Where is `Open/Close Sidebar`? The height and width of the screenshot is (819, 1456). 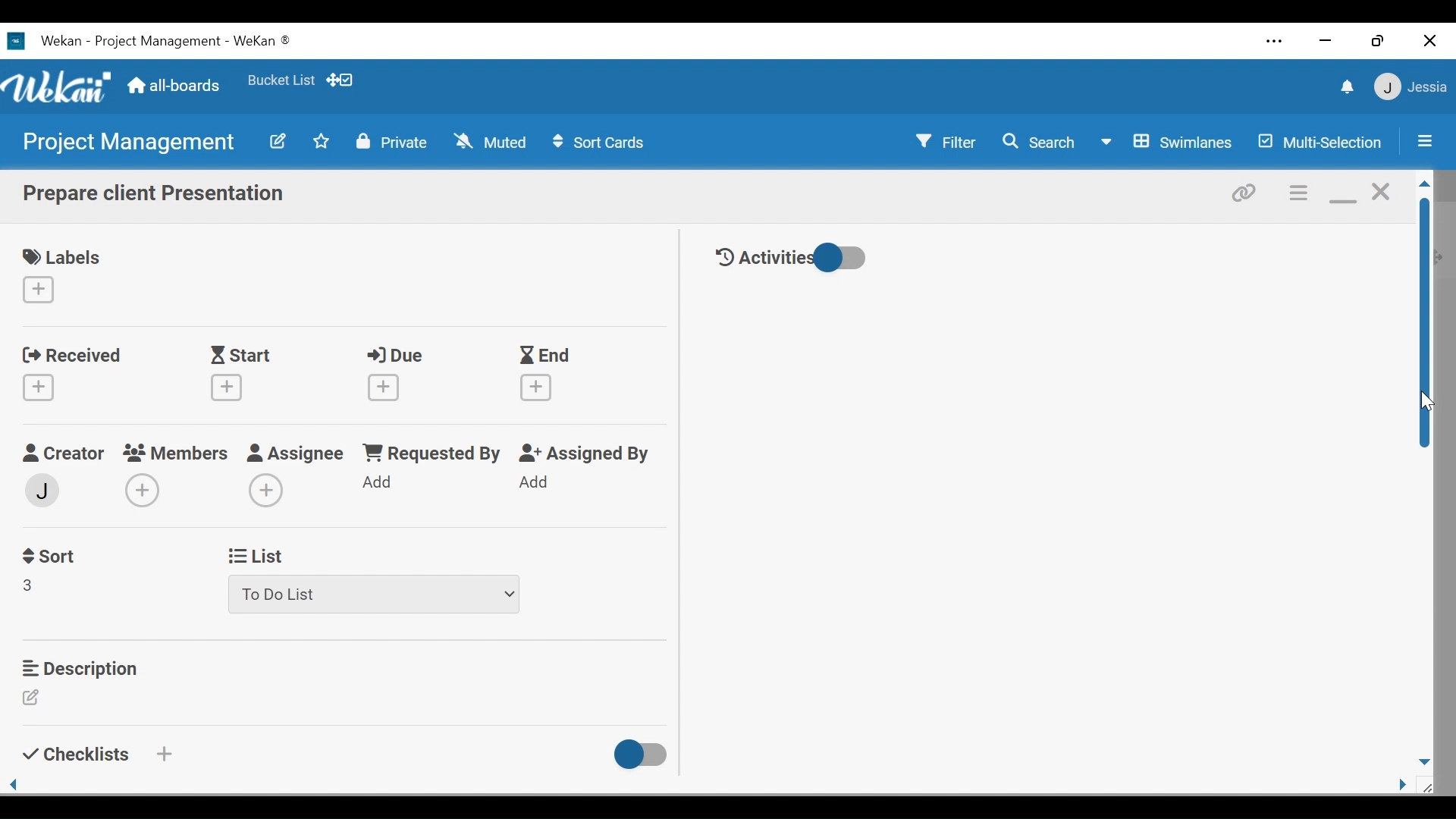
Open/Close Sidebar is located at coordinates (1423, 140).